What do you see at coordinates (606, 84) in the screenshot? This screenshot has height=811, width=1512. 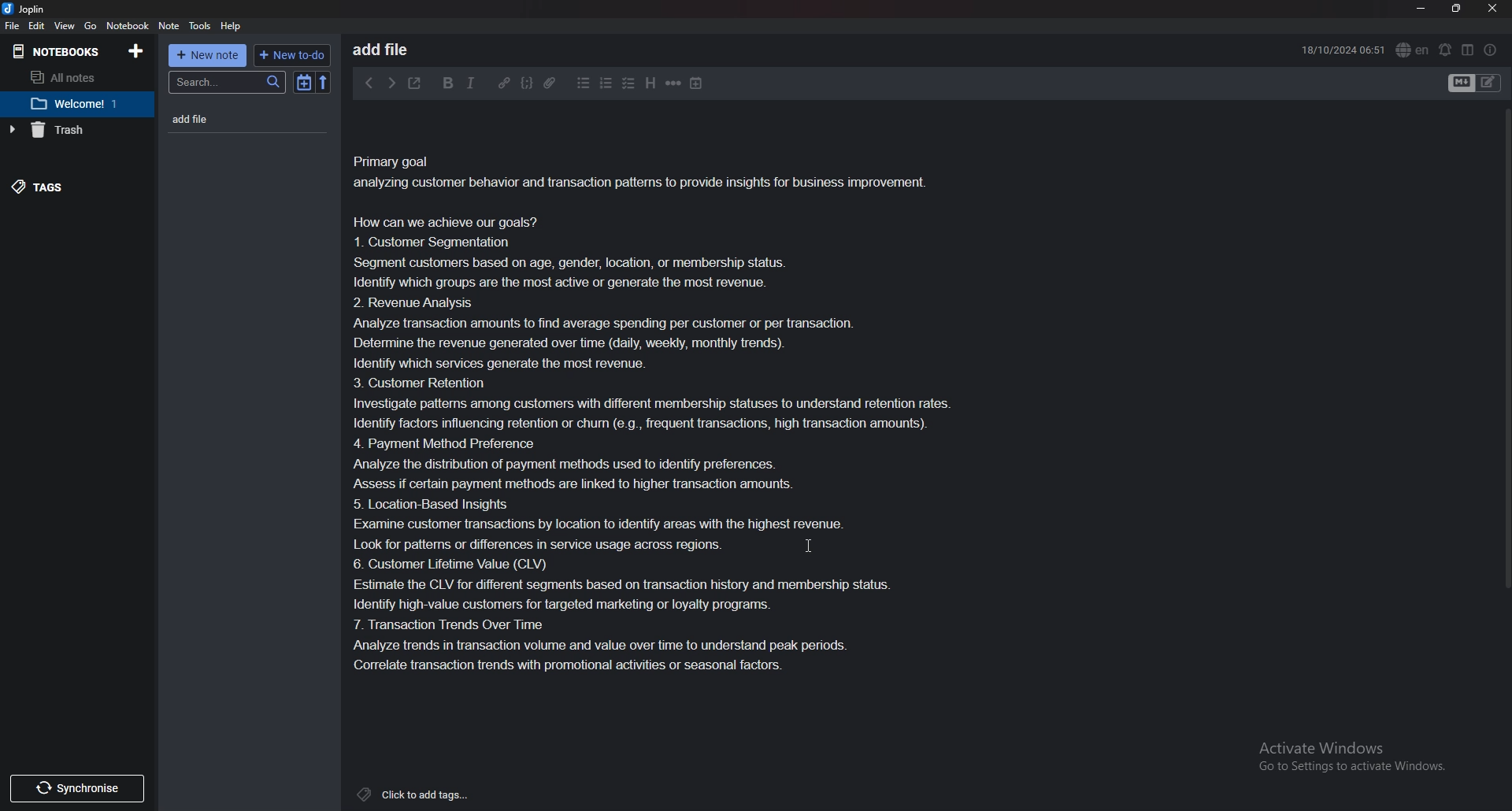 I see `Number list` at bounding box center [606, 84].